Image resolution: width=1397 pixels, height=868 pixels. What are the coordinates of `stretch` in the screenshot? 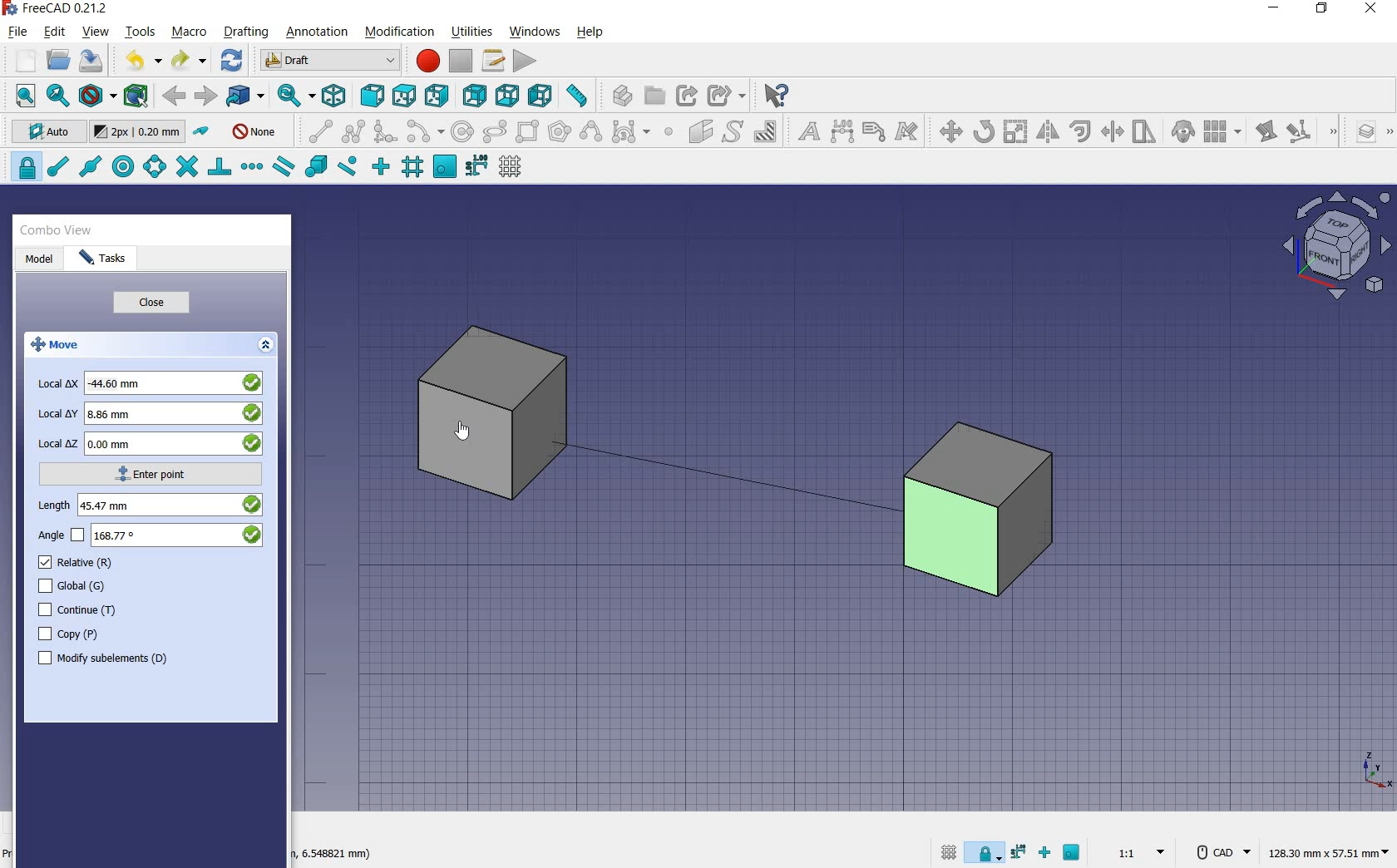 It's located at (1144, 132).